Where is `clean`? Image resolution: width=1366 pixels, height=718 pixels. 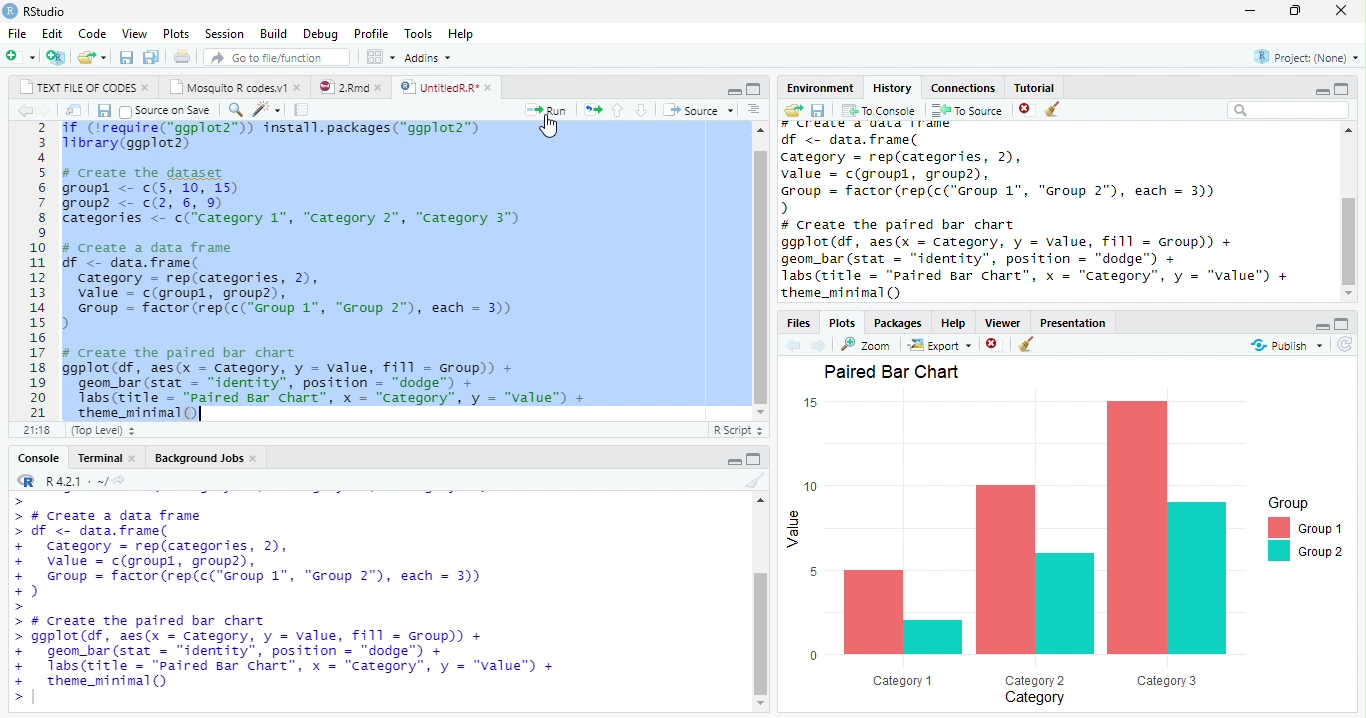
clean is located at coordinates (1029, 345).